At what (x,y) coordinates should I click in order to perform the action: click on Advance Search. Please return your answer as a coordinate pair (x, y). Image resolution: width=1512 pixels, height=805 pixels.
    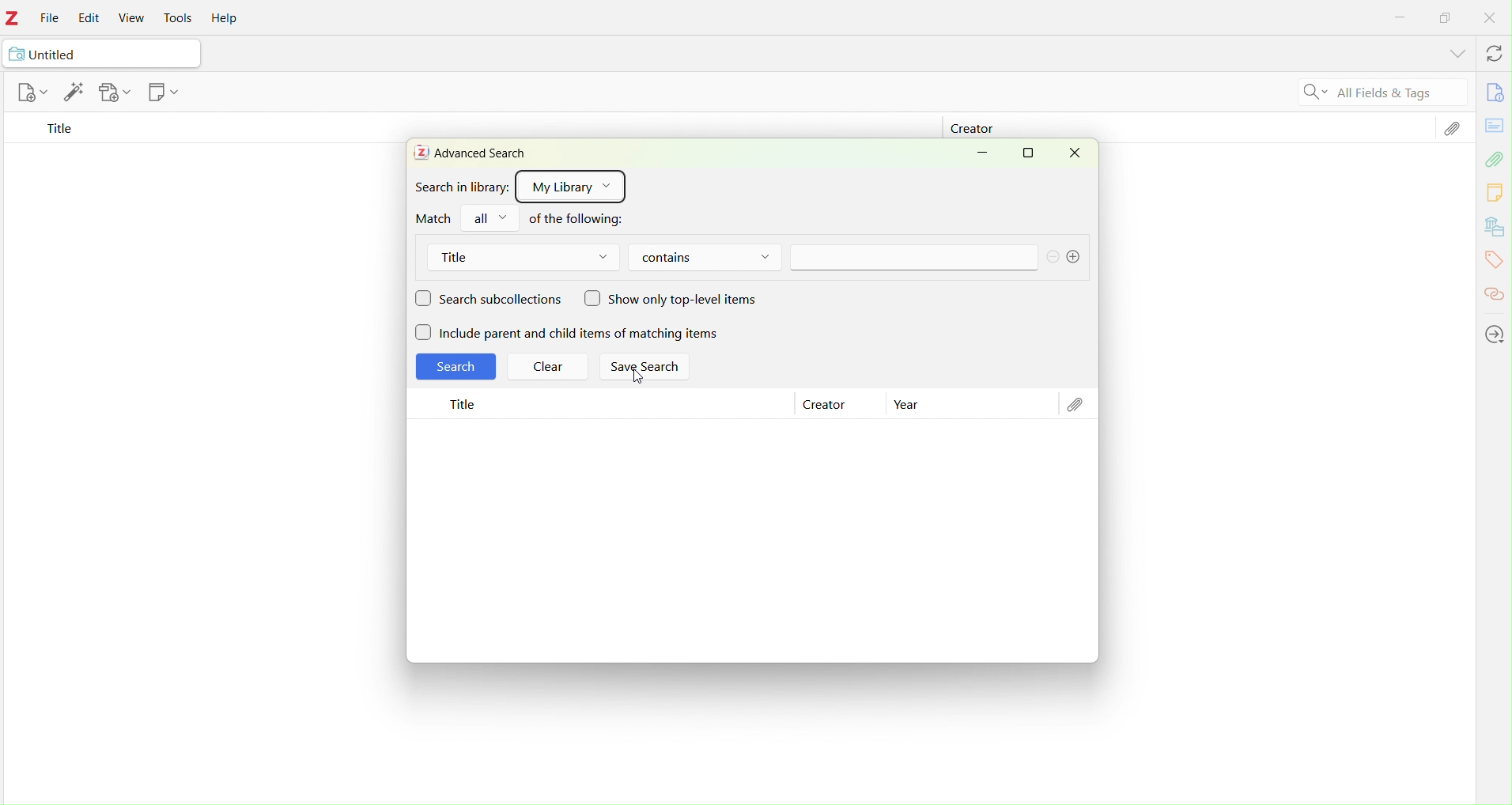
    Looking at the image, I should click on (471, 153).